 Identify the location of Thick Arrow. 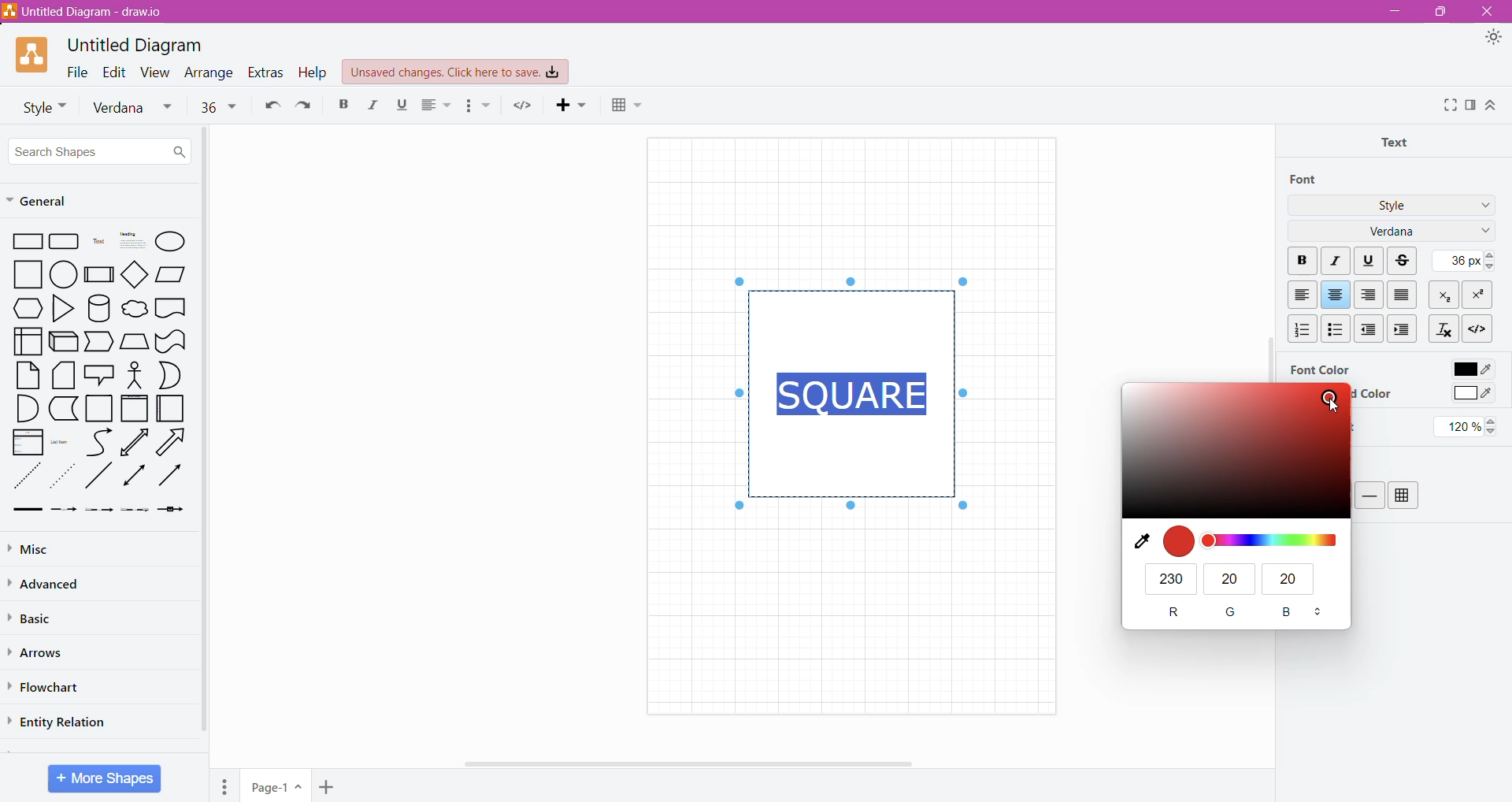
(23, 510).